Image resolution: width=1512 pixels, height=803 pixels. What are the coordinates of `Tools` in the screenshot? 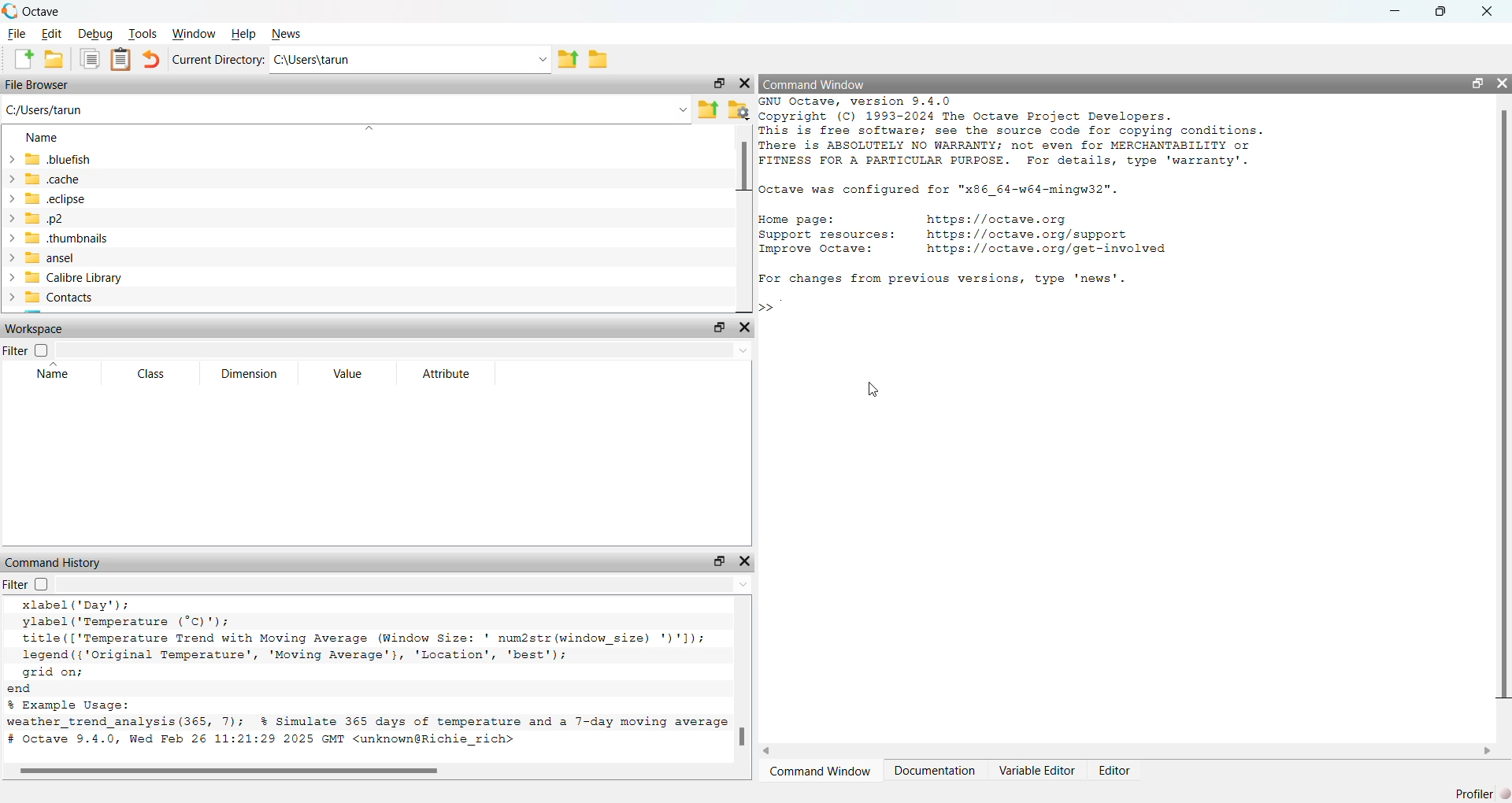 It's located at (141, 33).